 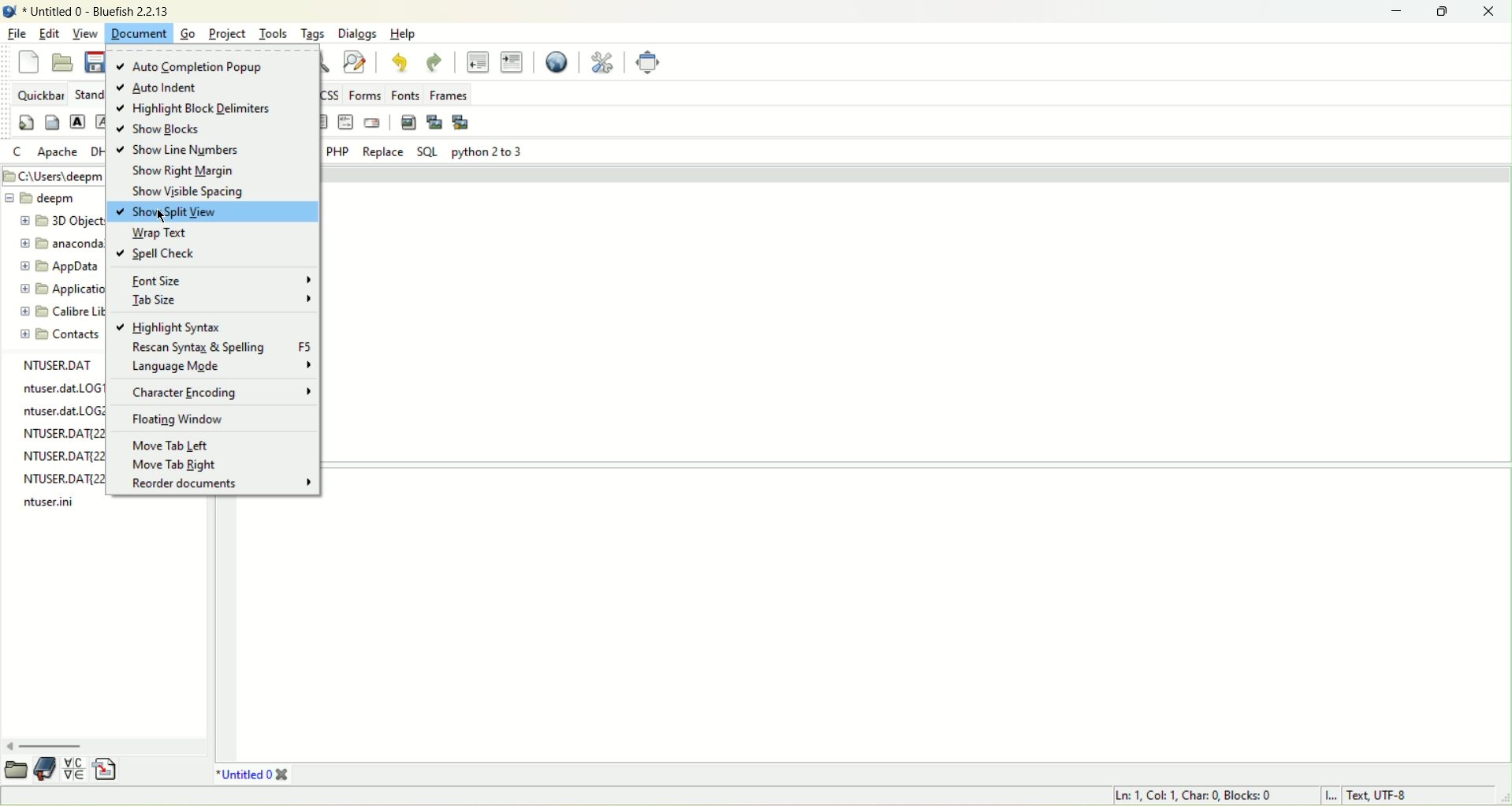 I want to click on ntuser.dat, so click(x=59, y=367).